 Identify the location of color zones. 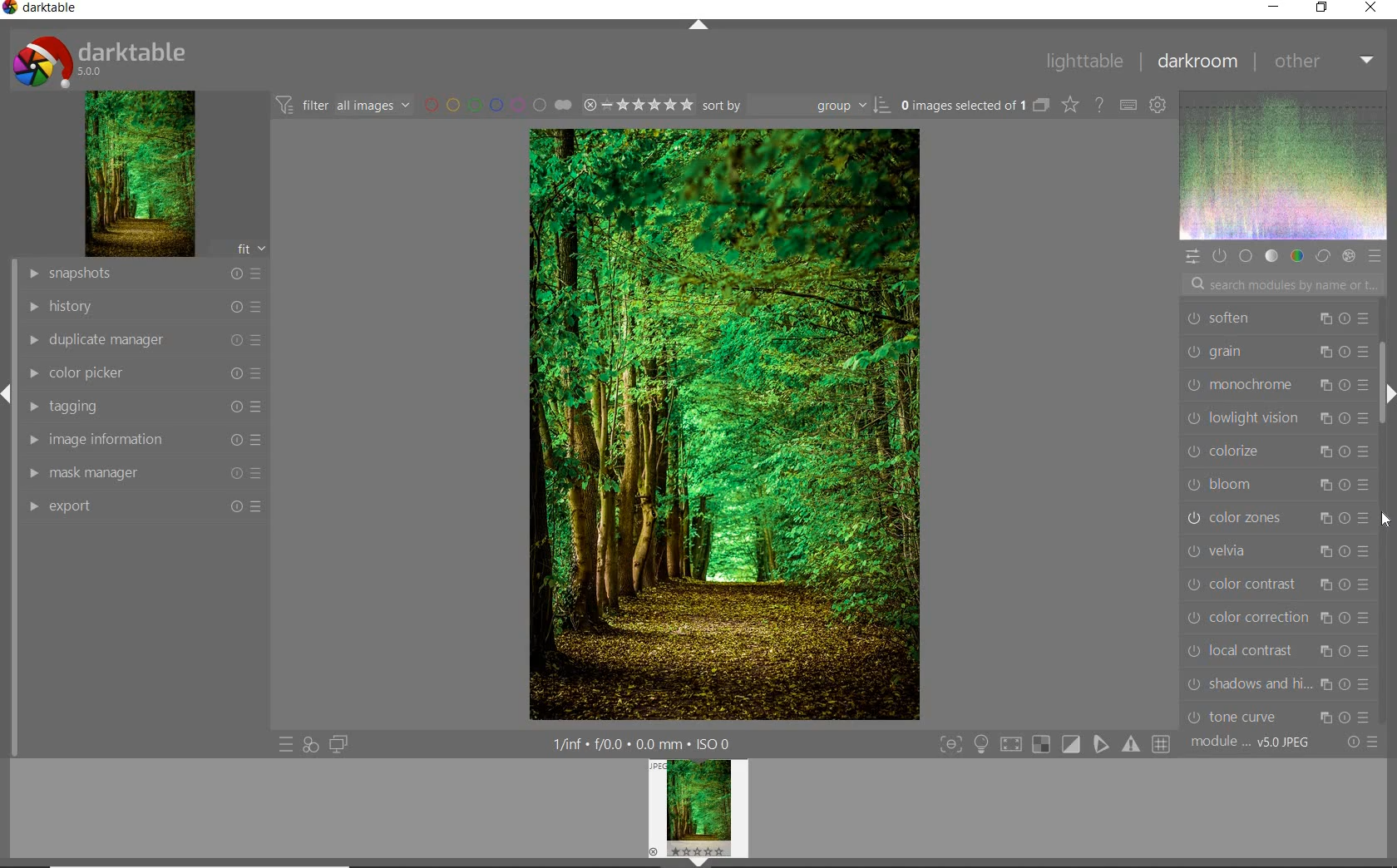
(1278, 517).